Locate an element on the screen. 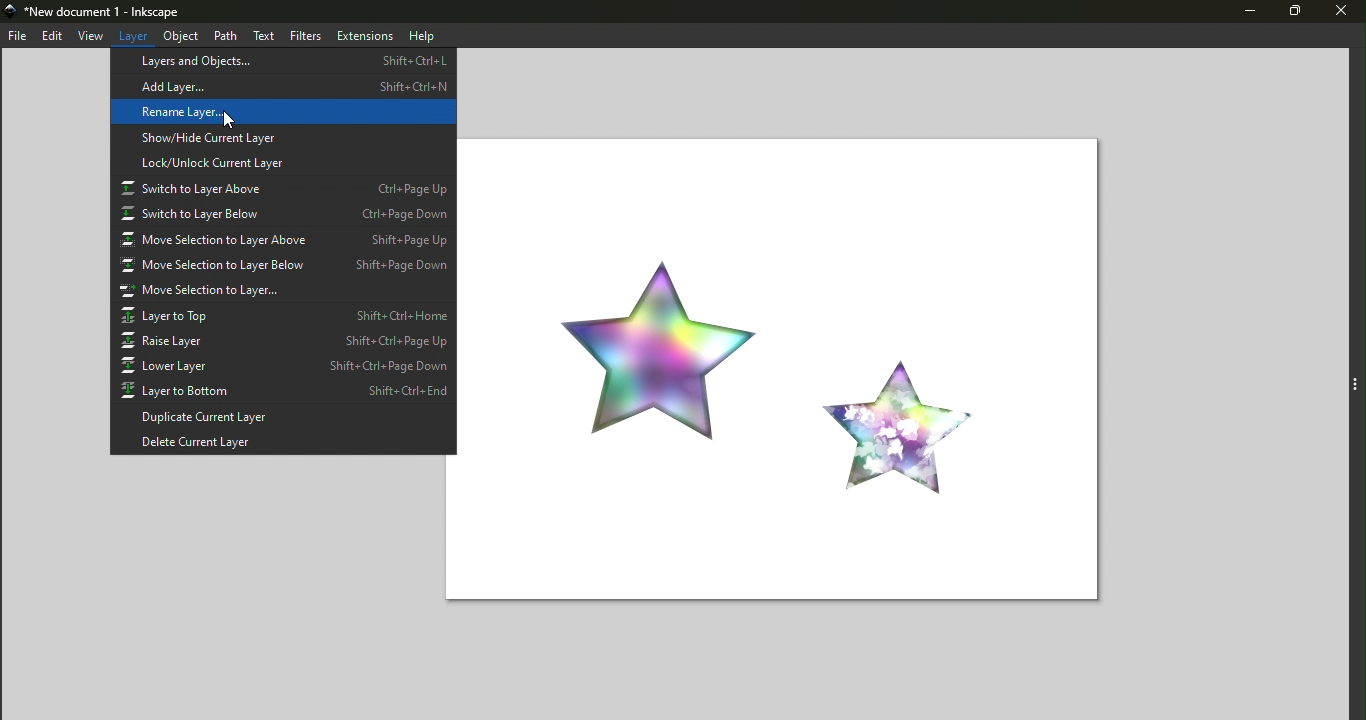  Layer to top is located at coordinates (285, 313).